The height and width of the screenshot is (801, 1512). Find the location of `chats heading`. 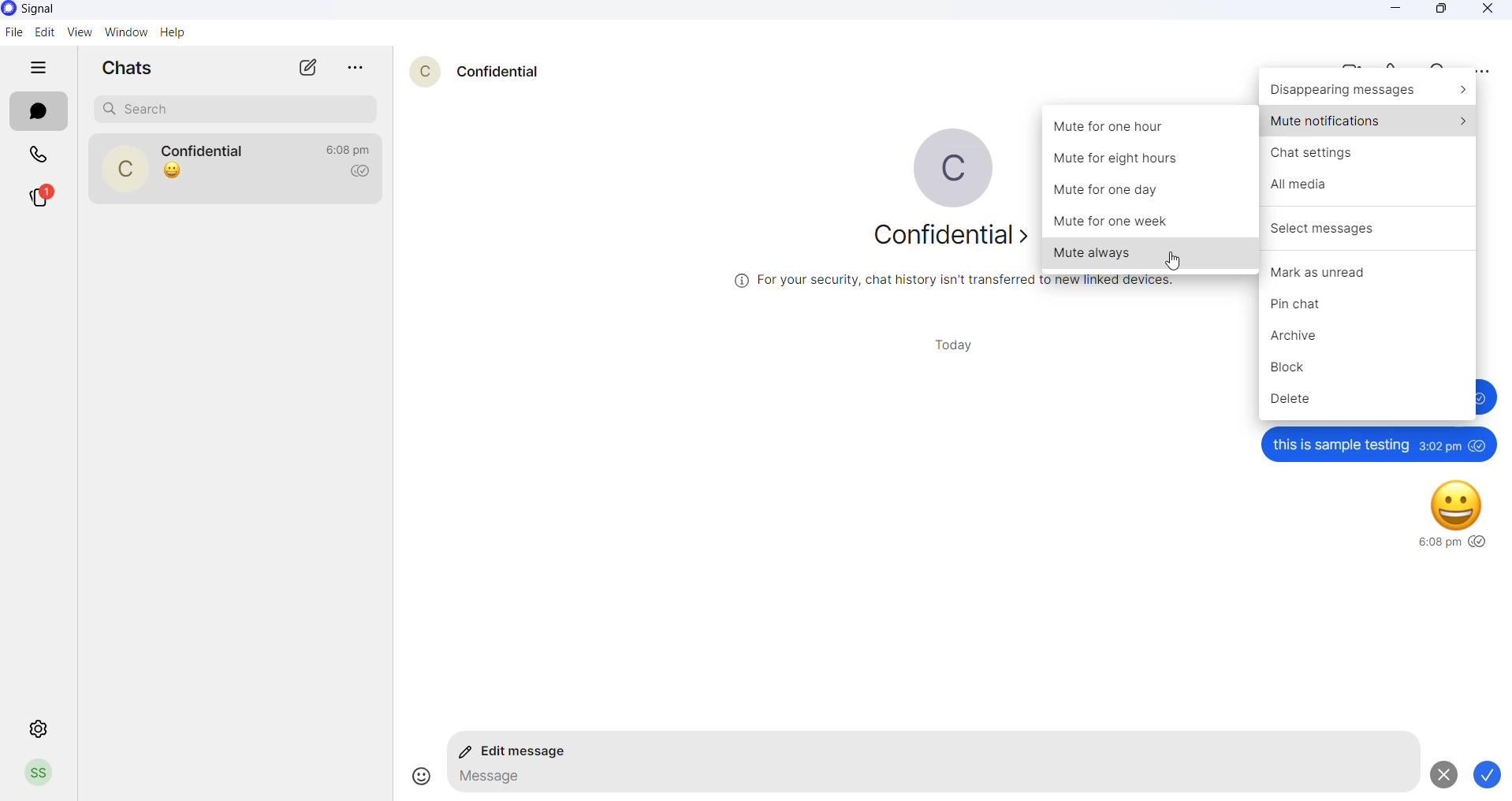

chats heading is located at coordinates (132, 71).